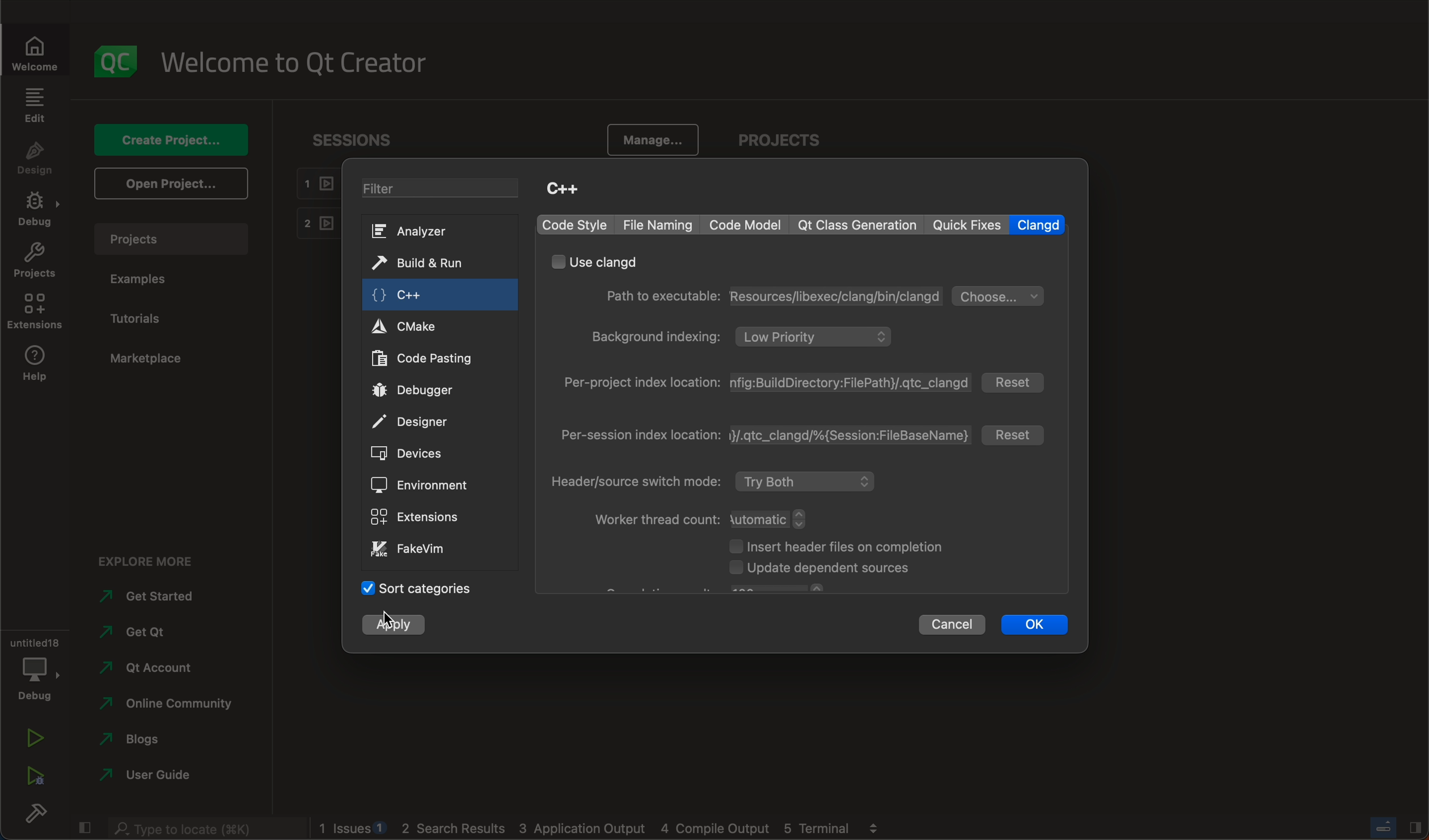 The height and width of the screenshot is (840, 1429). Describe the element at coordinates (1017, 434) in the screenshot. I see `reset` at that location.